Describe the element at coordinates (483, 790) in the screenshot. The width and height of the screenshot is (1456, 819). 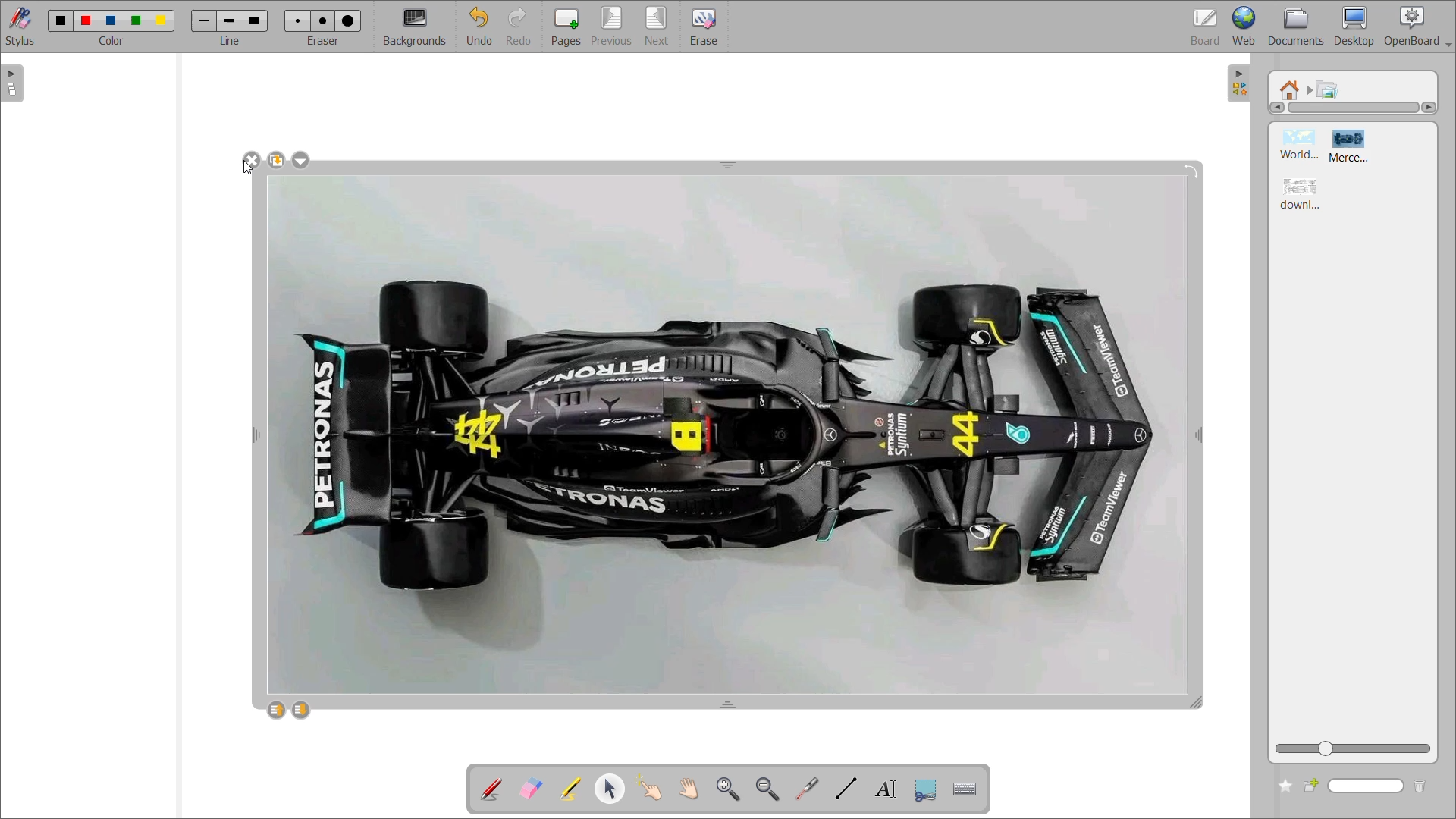
I see `annotate document` at that location.